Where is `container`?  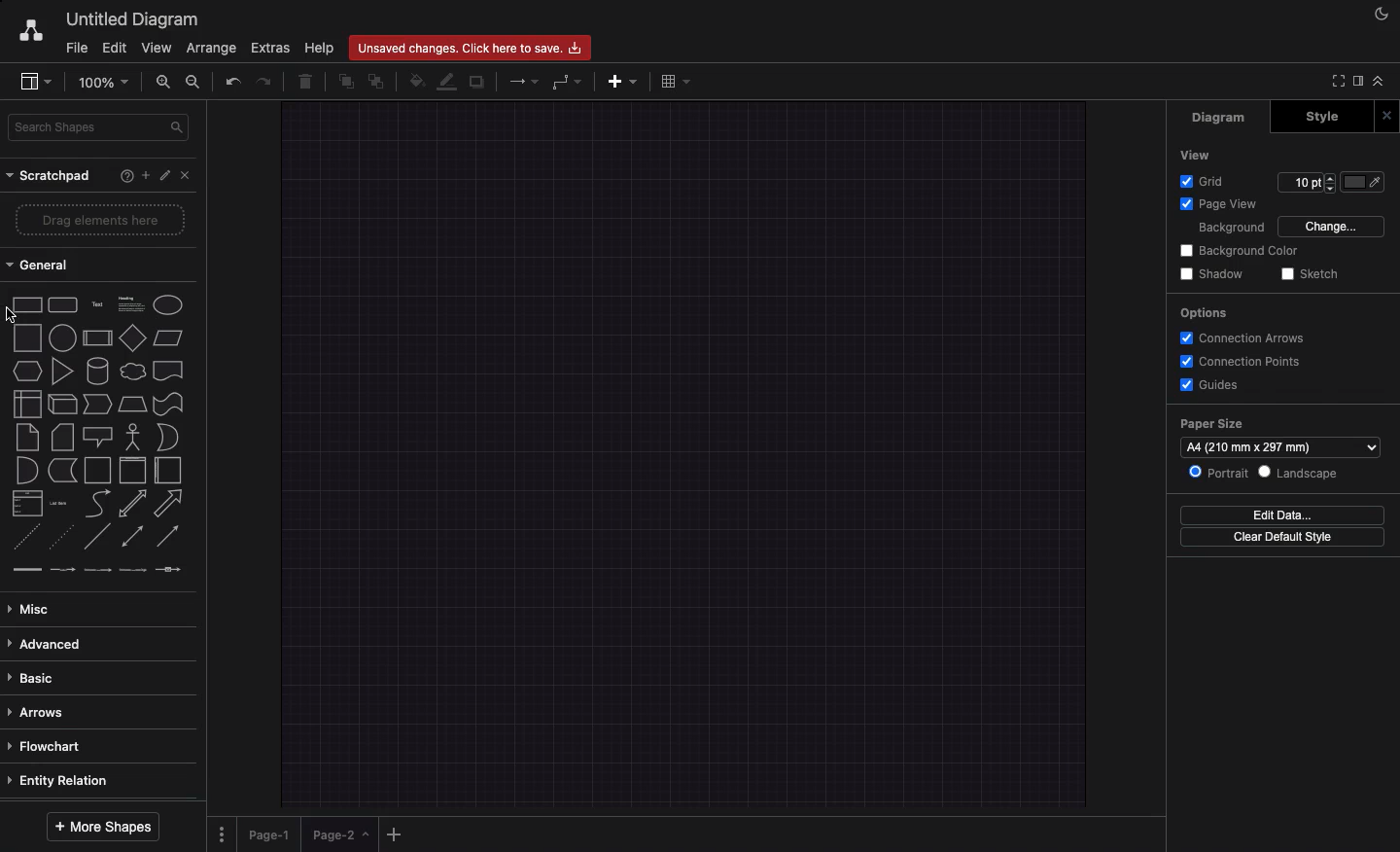
container is located at coordinates (96, 469).